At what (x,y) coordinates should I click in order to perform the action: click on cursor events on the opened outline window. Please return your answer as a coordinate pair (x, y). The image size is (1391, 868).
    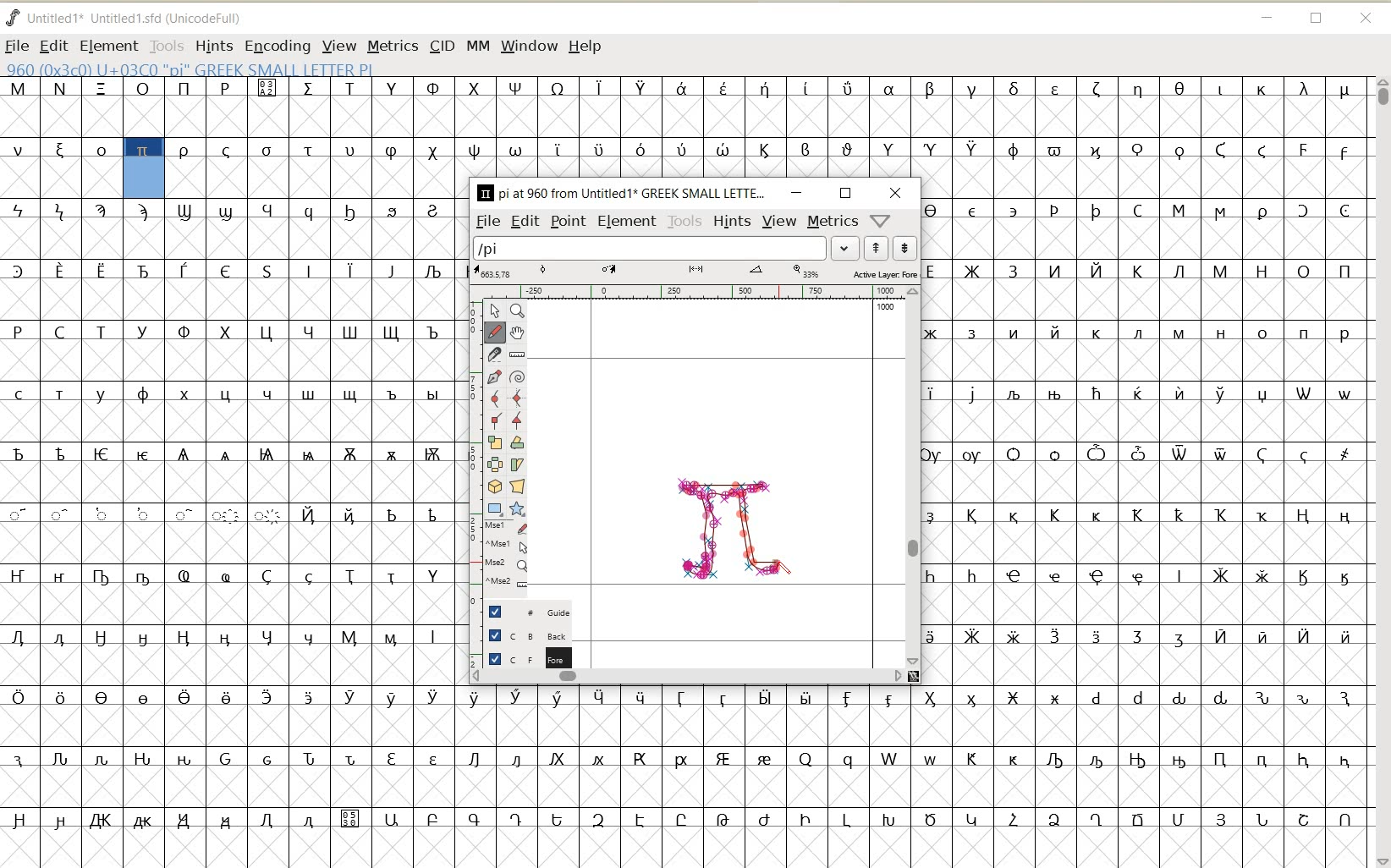
    Looking at the image, I should click on (499, 555).